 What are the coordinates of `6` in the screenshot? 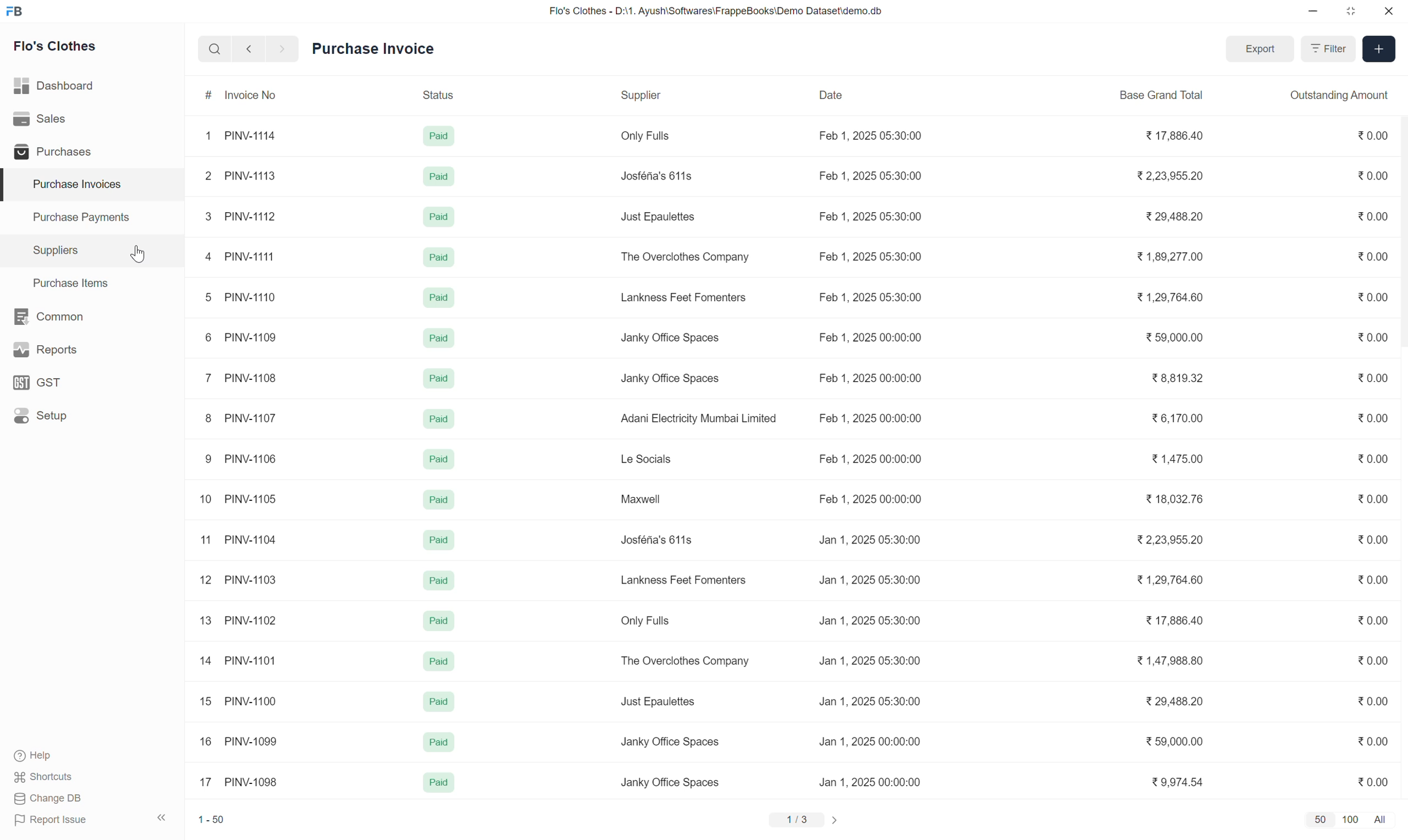 It's located at (207, 337).